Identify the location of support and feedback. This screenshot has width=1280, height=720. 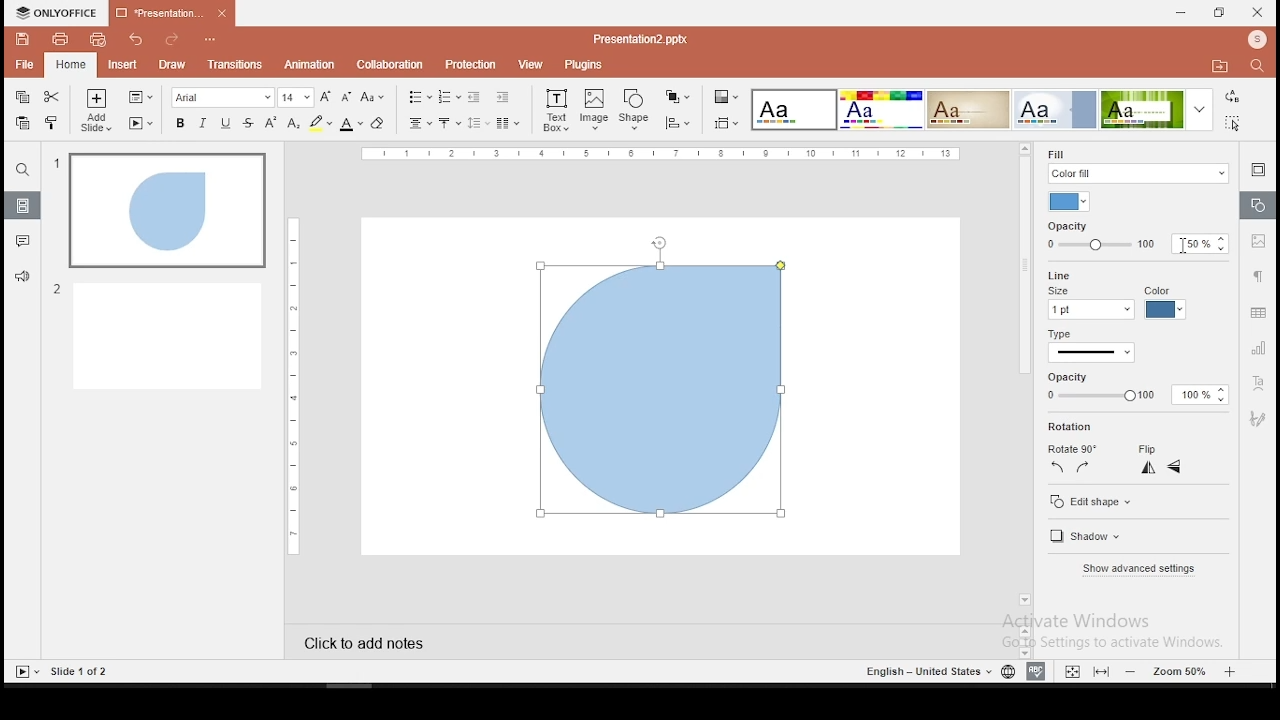
(22, 276).